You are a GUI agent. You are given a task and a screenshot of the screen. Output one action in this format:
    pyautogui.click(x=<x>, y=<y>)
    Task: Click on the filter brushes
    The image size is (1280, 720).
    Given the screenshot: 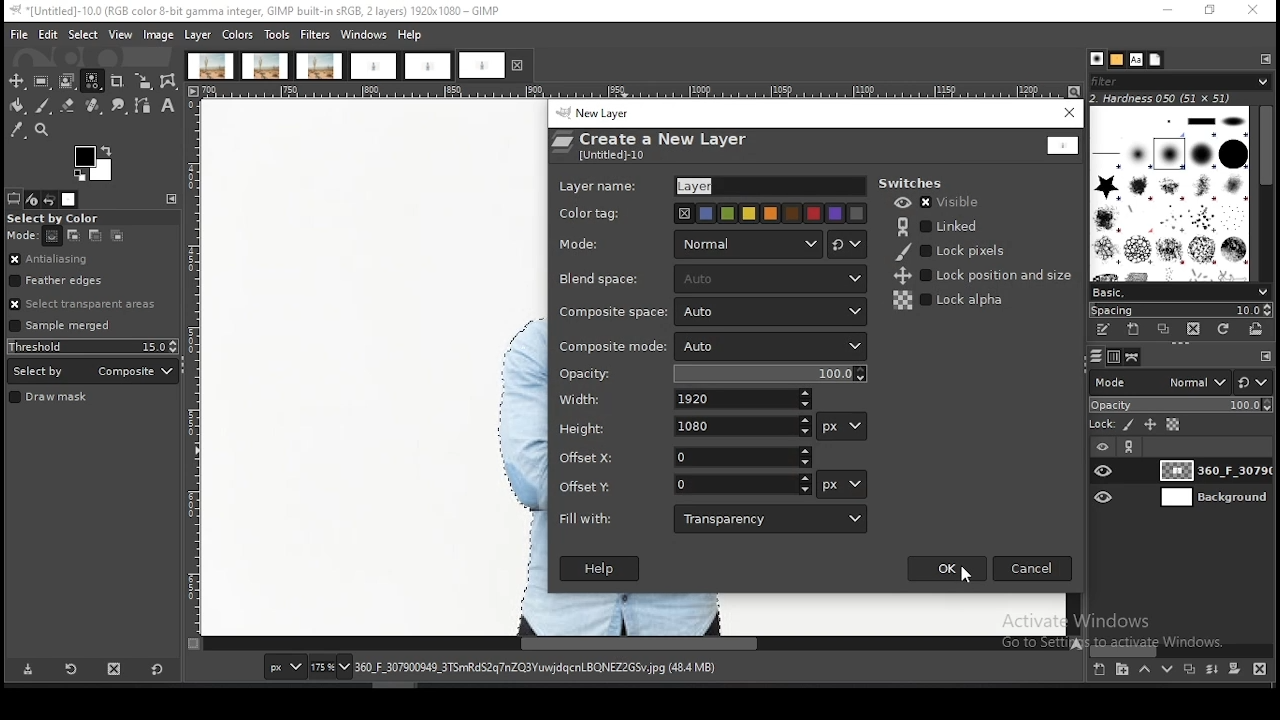 What is the action you would take?
    pyautogui.click(x=1180, y=82)
    